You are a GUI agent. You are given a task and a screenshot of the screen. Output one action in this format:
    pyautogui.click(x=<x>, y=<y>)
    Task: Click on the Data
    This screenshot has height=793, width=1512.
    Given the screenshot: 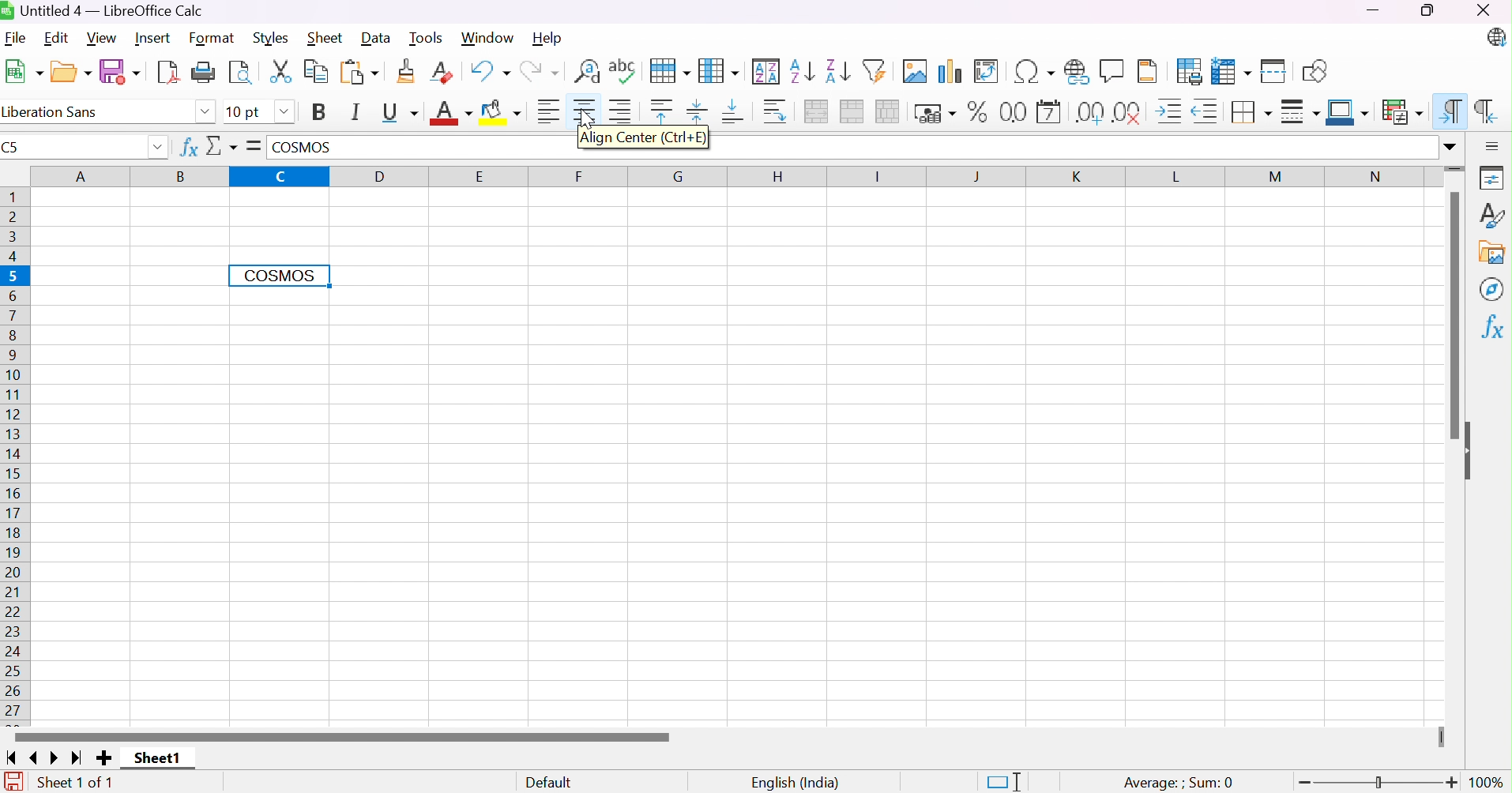 What is the action you would take?
    pyautogui.click(x=374, y=38)
    